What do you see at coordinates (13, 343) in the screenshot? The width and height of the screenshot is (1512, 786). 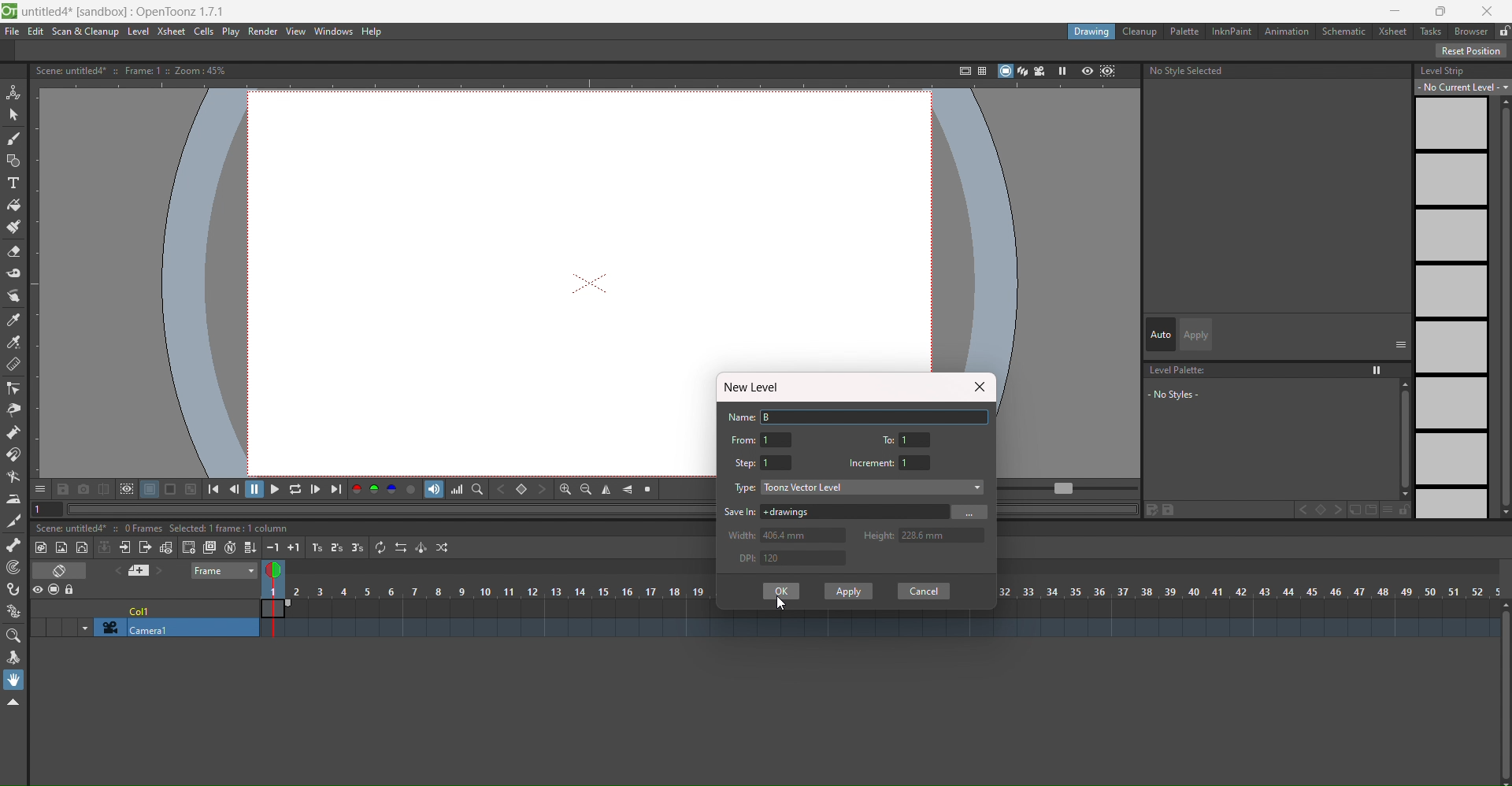 I see `rgb picker tool` at bounding box center [13, 343].